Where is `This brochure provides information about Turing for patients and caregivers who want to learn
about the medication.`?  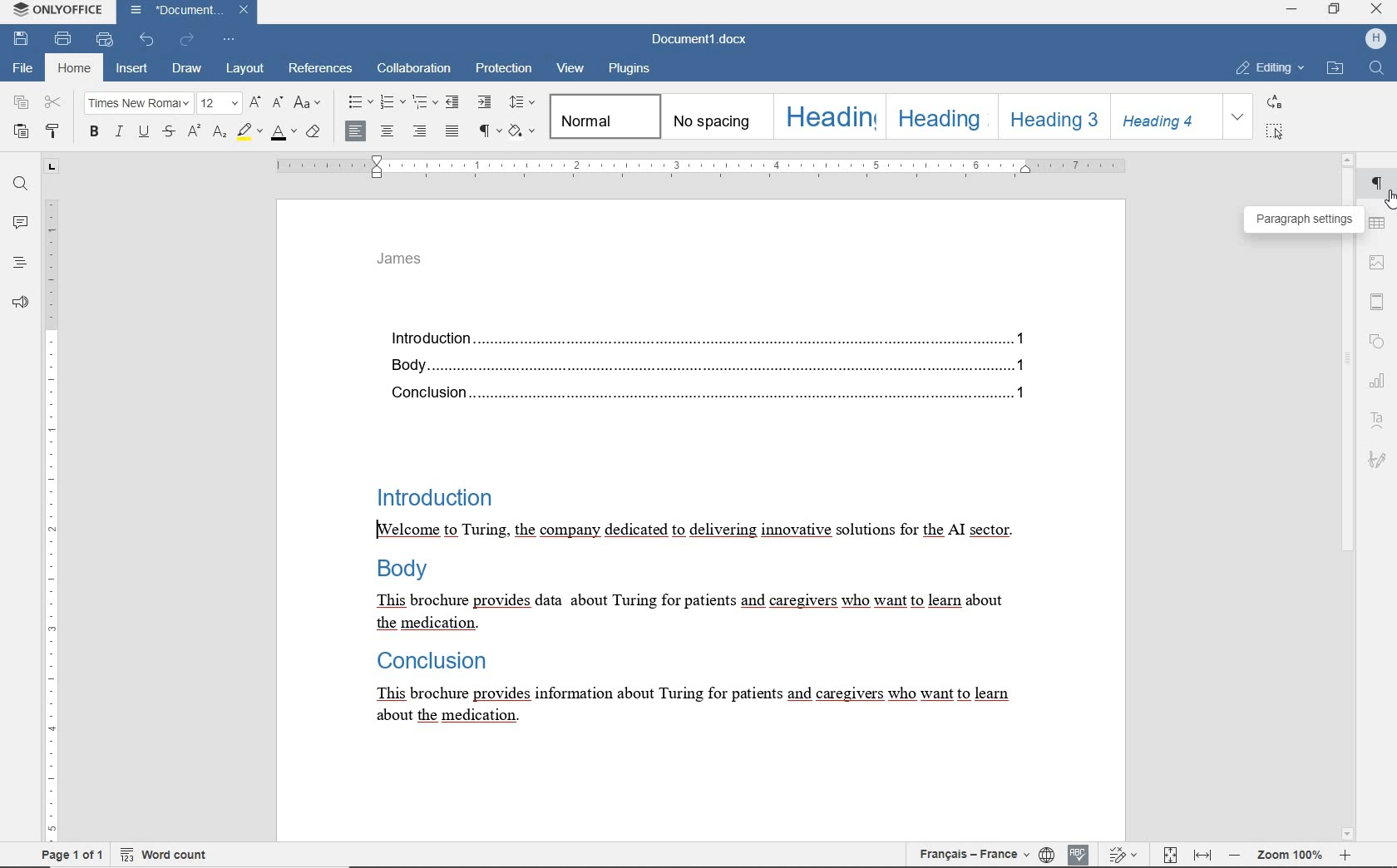
This brochure provides information about Turing for patients and caregivers who want to learn
about the medication. is located at coordinates (693, 708).